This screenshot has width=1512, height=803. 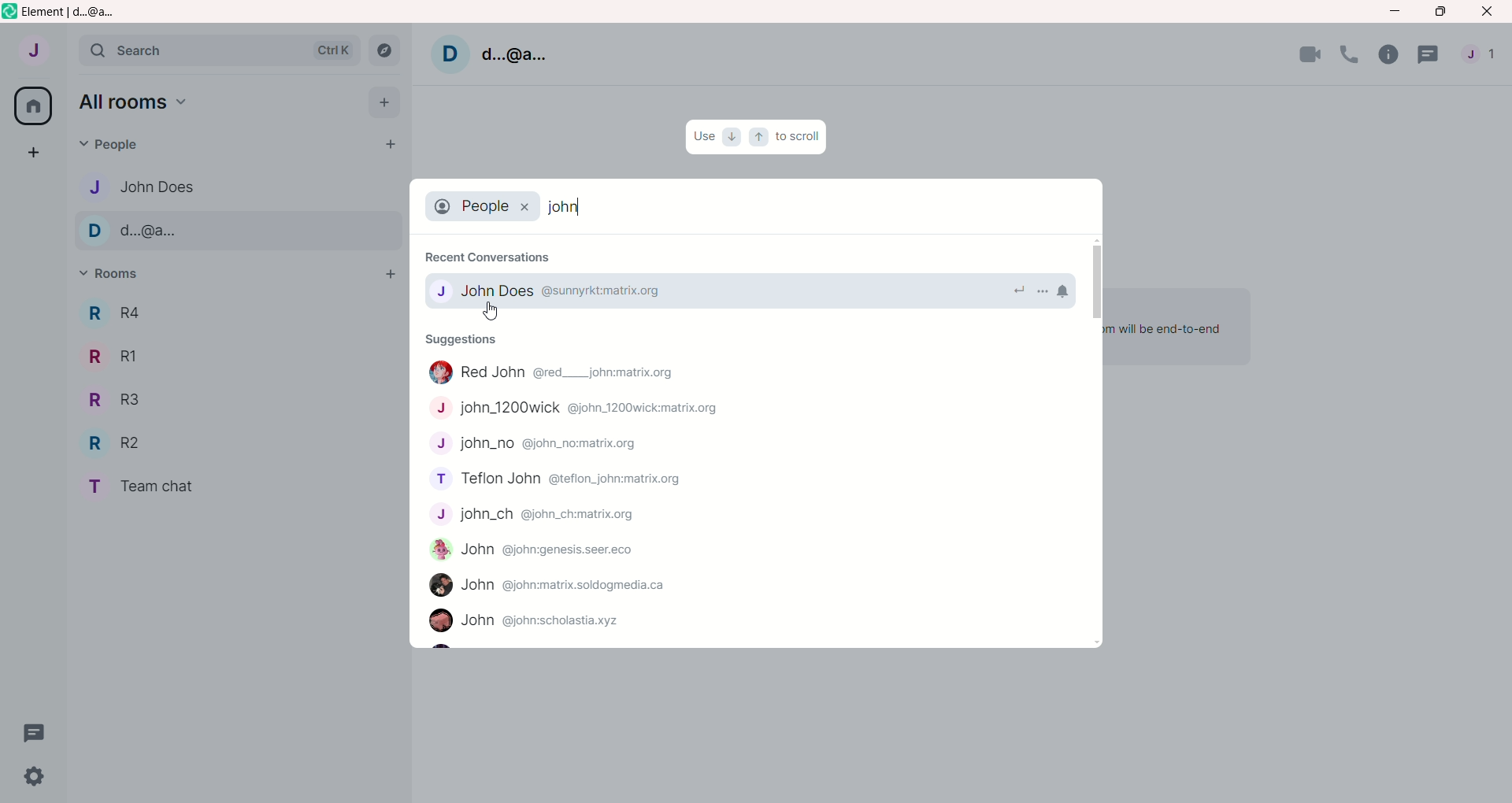 What do you see at coordinates (28, 779) in the screenshot?
I see `settings` at bounding box center [28, 779].